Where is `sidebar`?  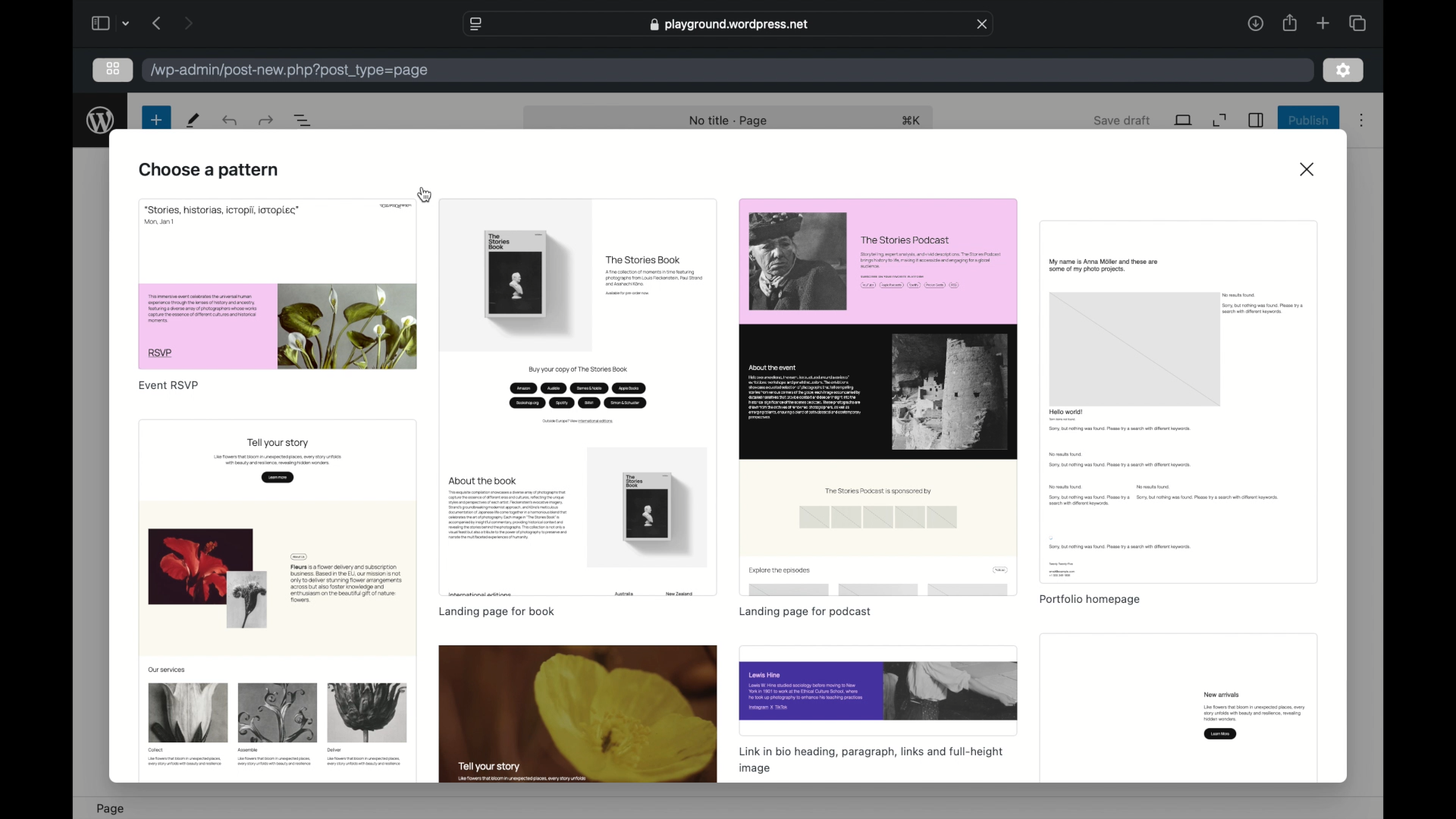 sidebar is located at coordinates (1257, 120).